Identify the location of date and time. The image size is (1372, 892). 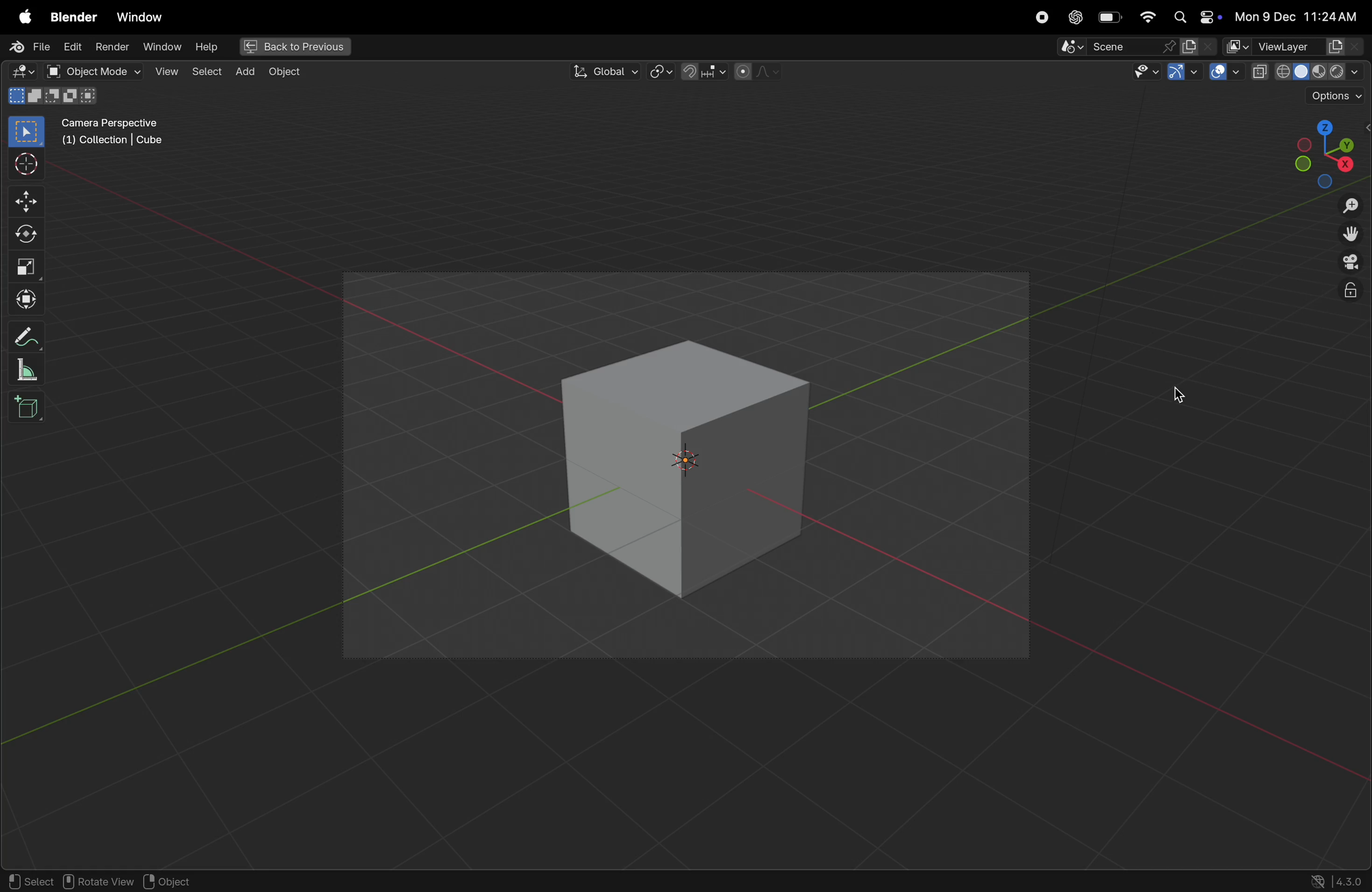
(1301, 13).